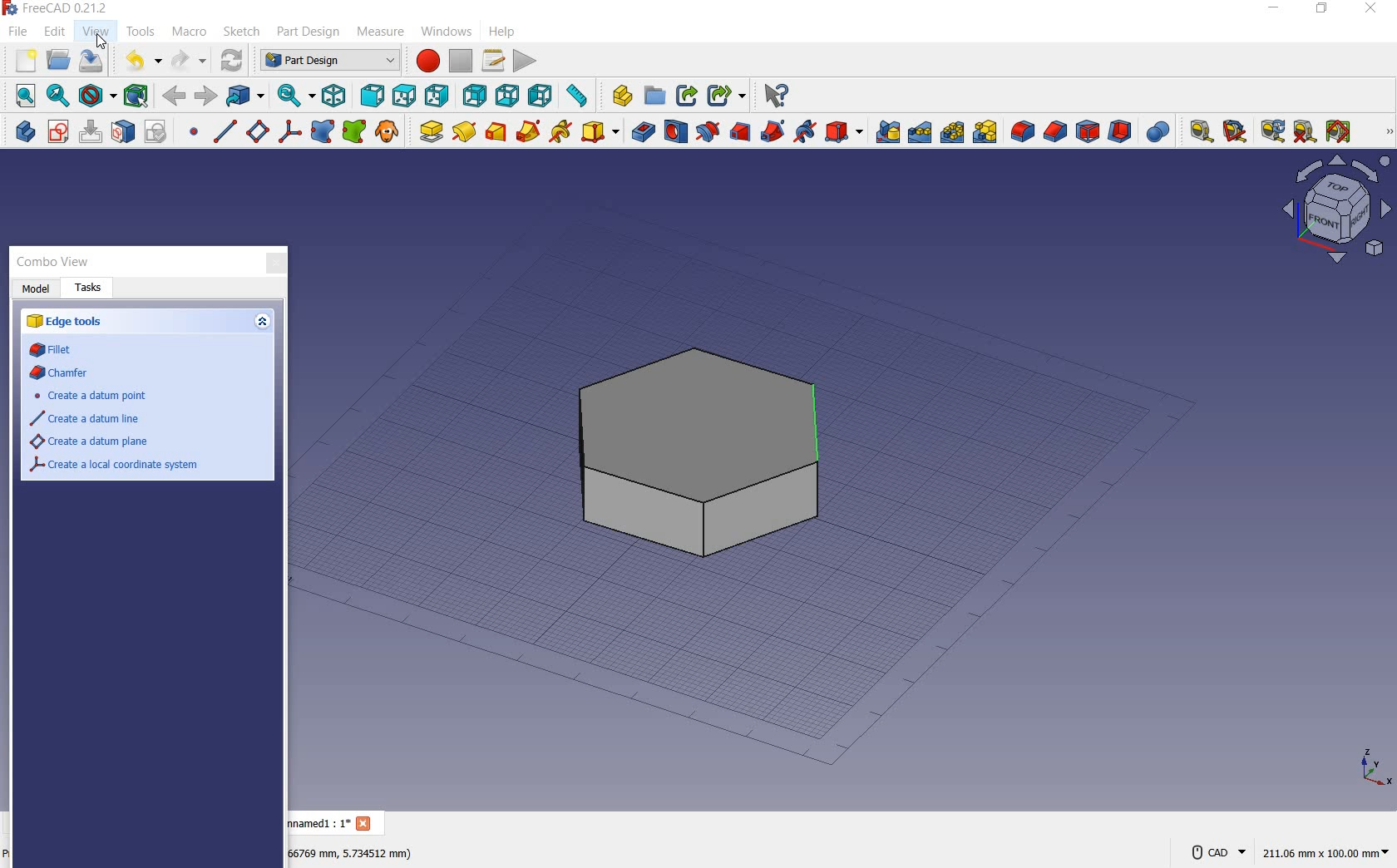 The height and width of the screenshot is (868, 1397). I want to click on create group, so click(655, 96).